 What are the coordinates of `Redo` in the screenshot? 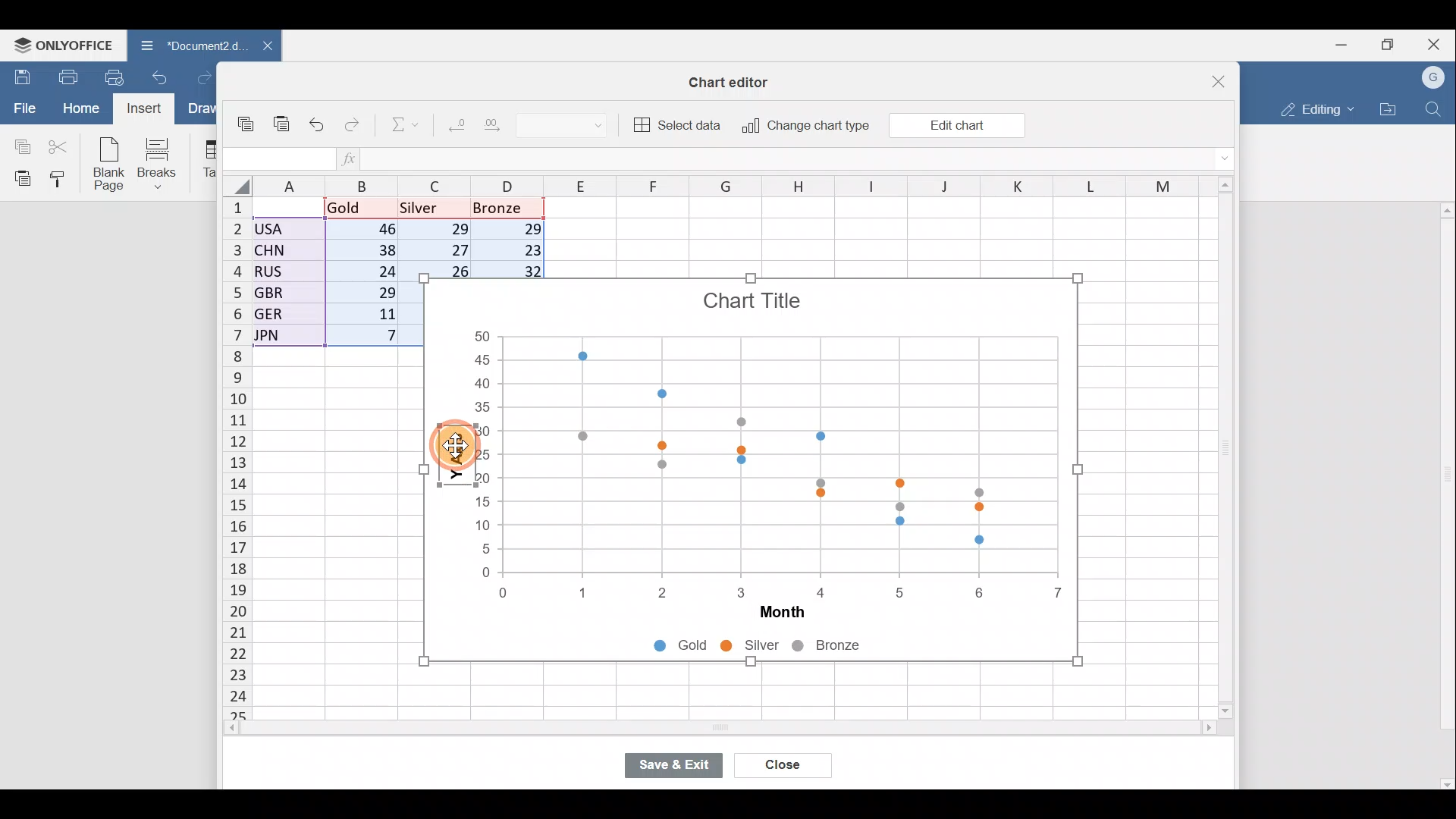 It's located at (355, 121).